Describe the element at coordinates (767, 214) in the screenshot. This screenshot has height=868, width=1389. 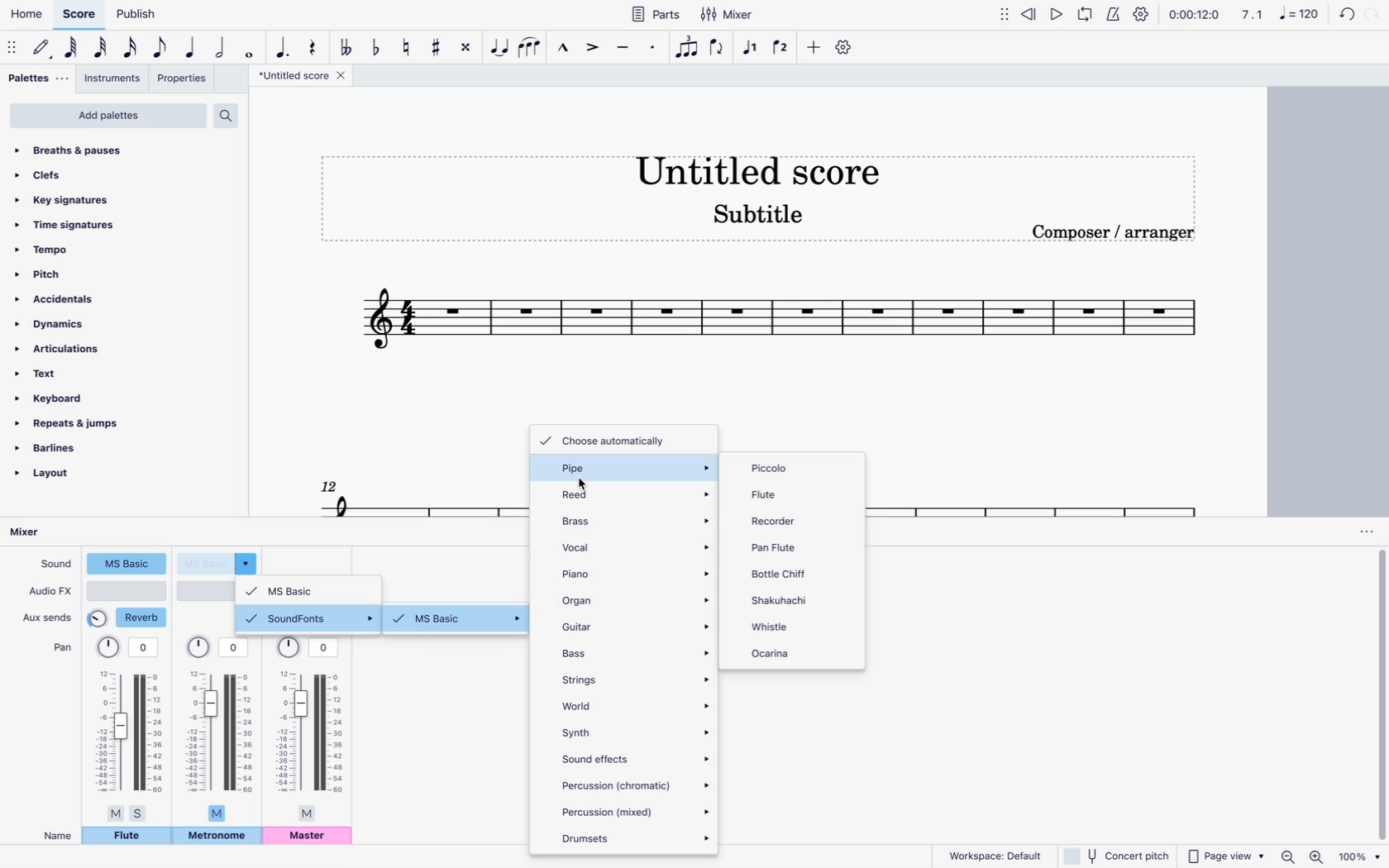
I see `score subtitle` at that location.